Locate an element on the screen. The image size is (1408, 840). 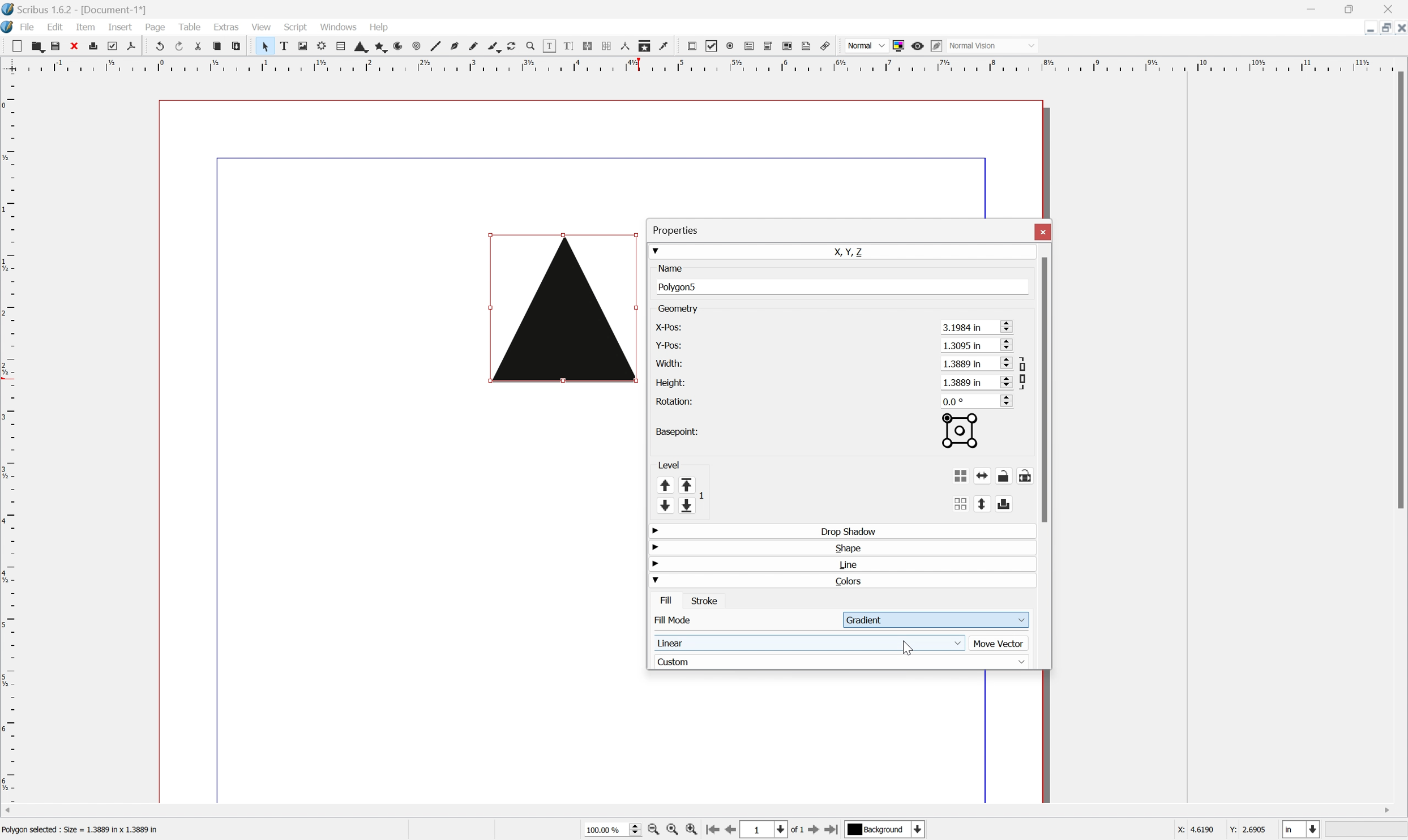
Close is located at coordinates (75, 45).